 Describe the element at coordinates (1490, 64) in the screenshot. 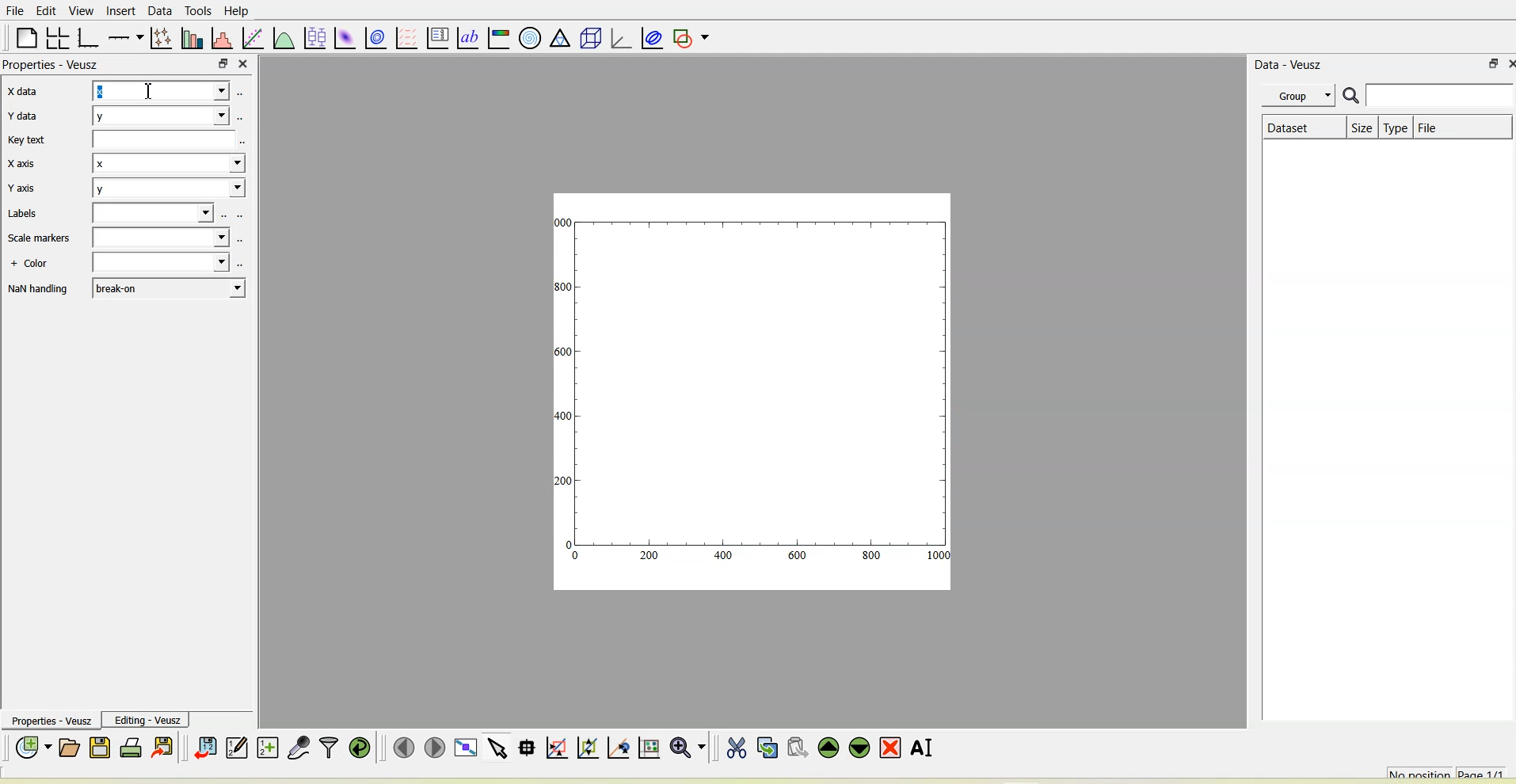

I see `float panel` at that location.